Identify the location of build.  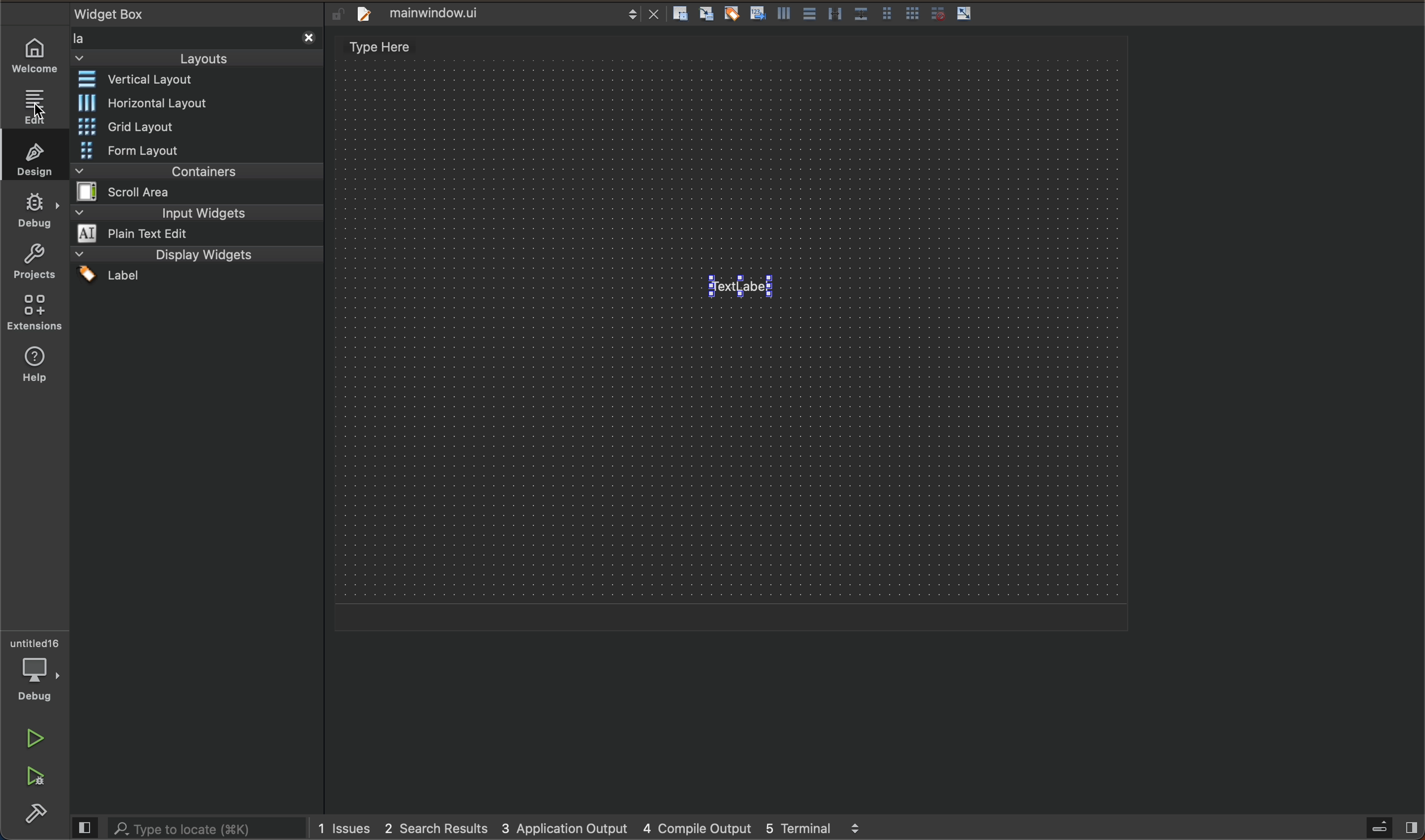
(33, 815).